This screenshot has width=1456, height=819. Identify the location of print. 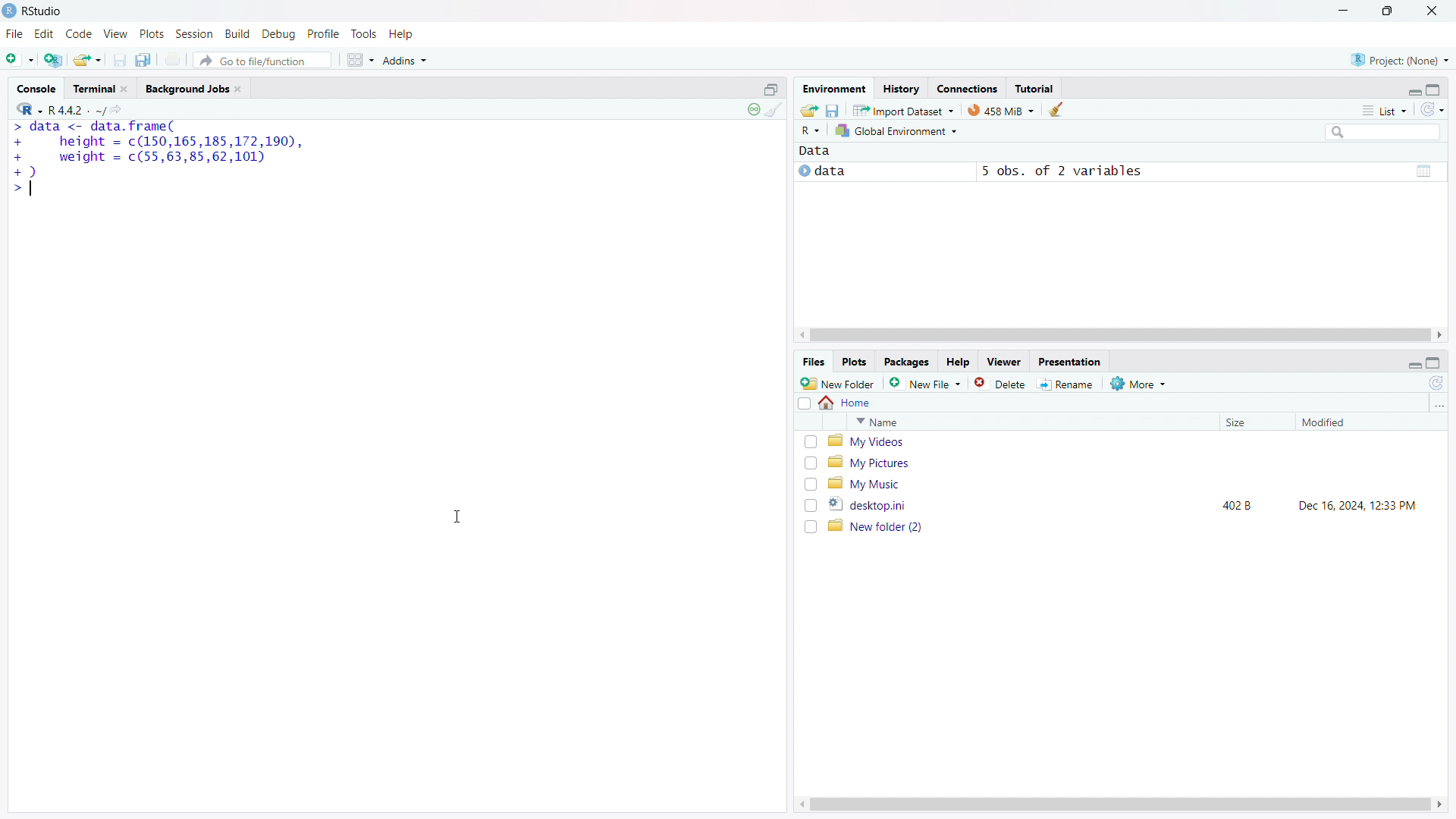
(174, 59).